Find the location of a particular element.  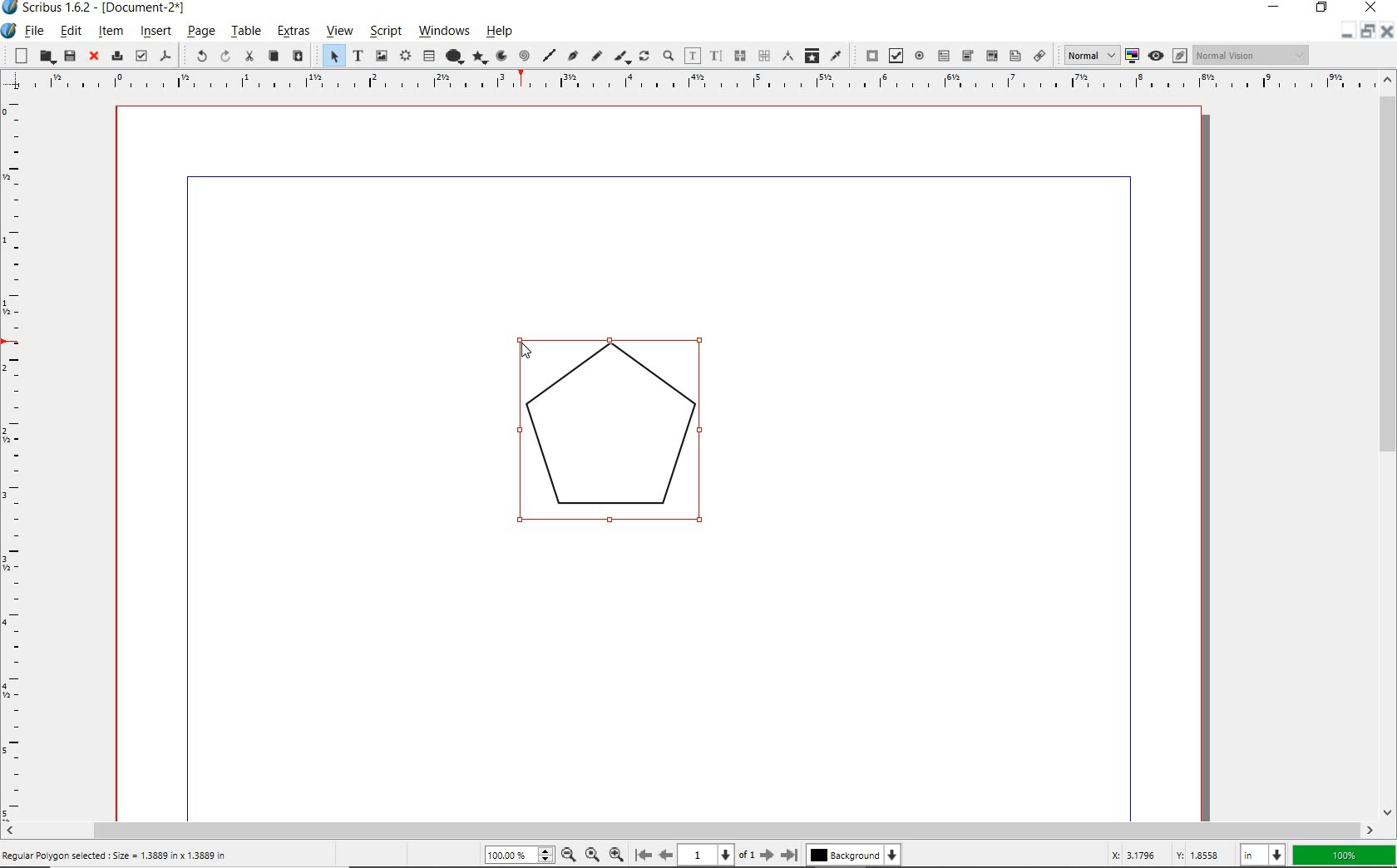

zoom in or zoom out is located at coordinates (668, 55).